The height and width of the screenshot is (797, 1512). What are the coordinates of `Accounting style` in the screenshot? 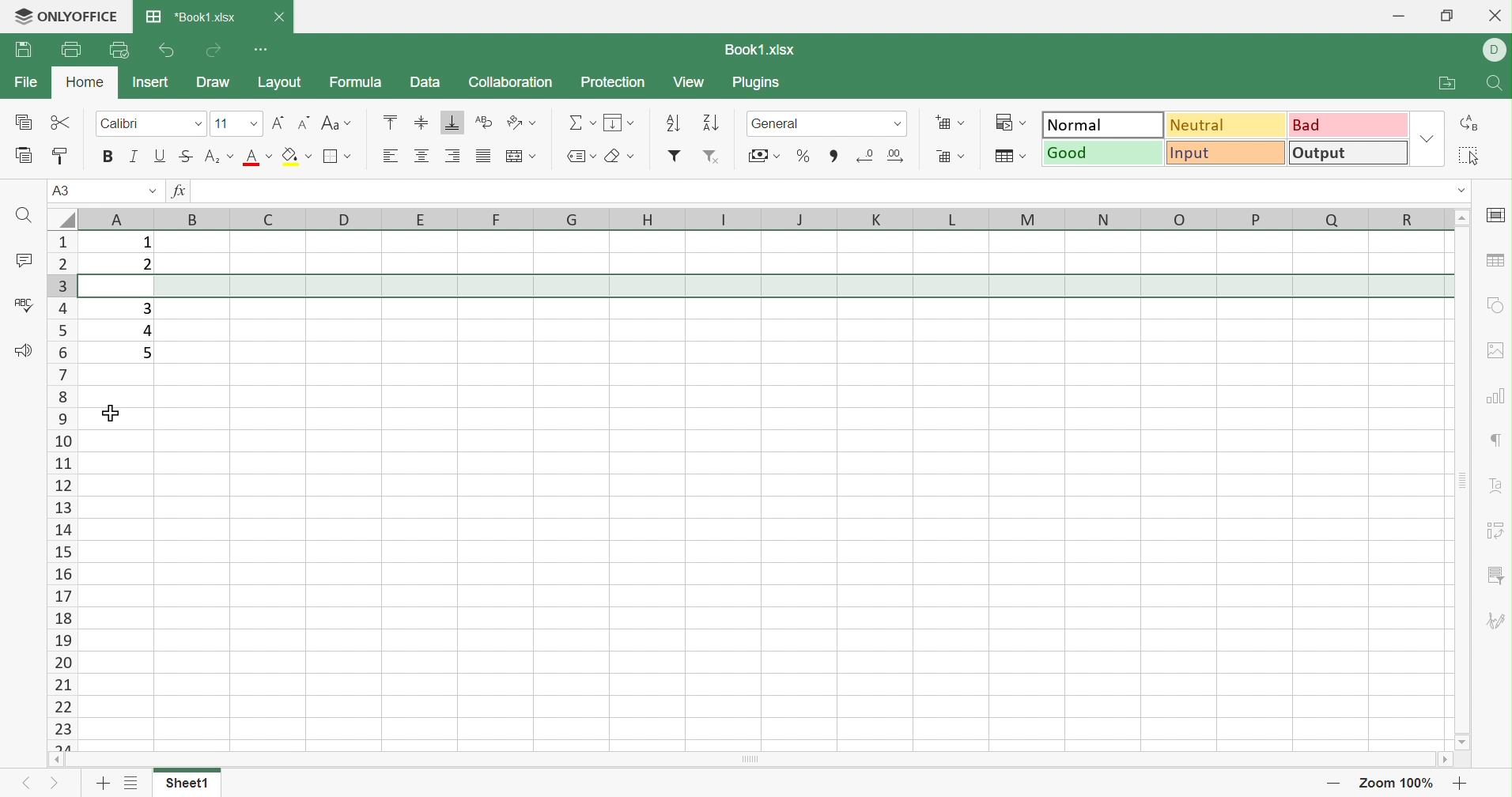 It's located at (756, 157).